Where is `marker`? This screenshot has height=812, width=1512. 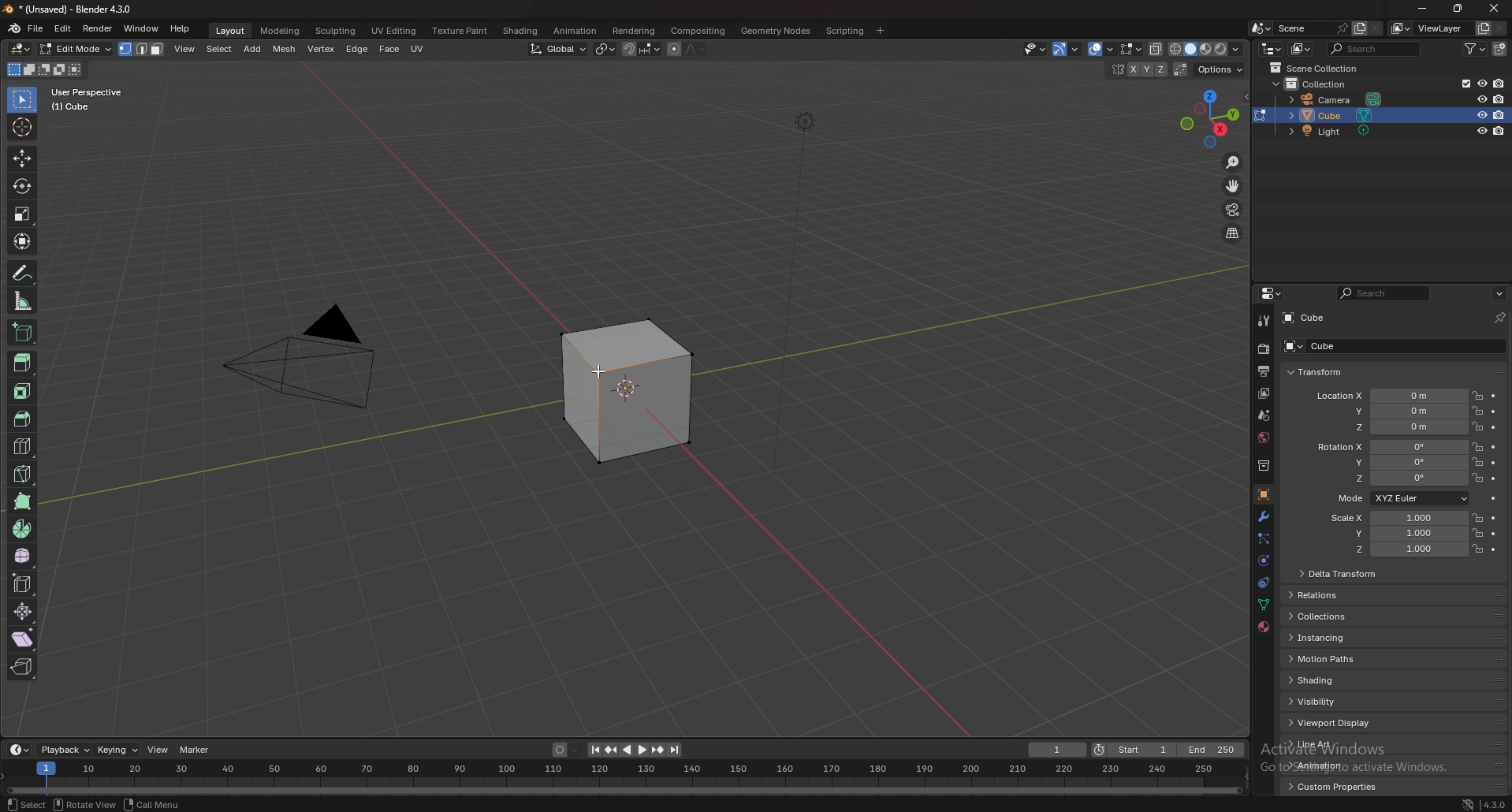
marker is located at coordinates (194, 750).